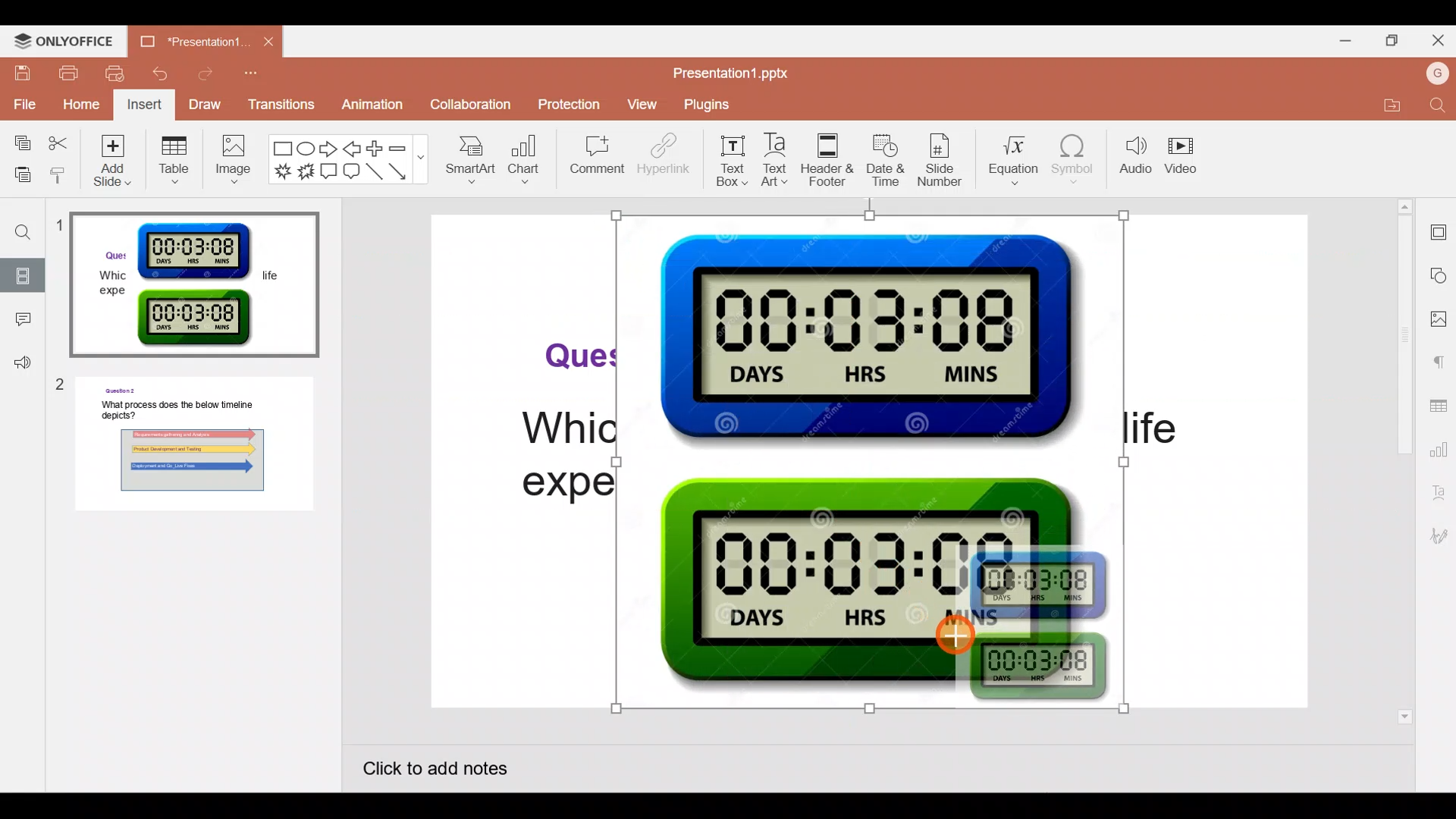  Describe the element at coordinates (72, 42) in the screenshot. I see `ONLYOFFICE` at that location.